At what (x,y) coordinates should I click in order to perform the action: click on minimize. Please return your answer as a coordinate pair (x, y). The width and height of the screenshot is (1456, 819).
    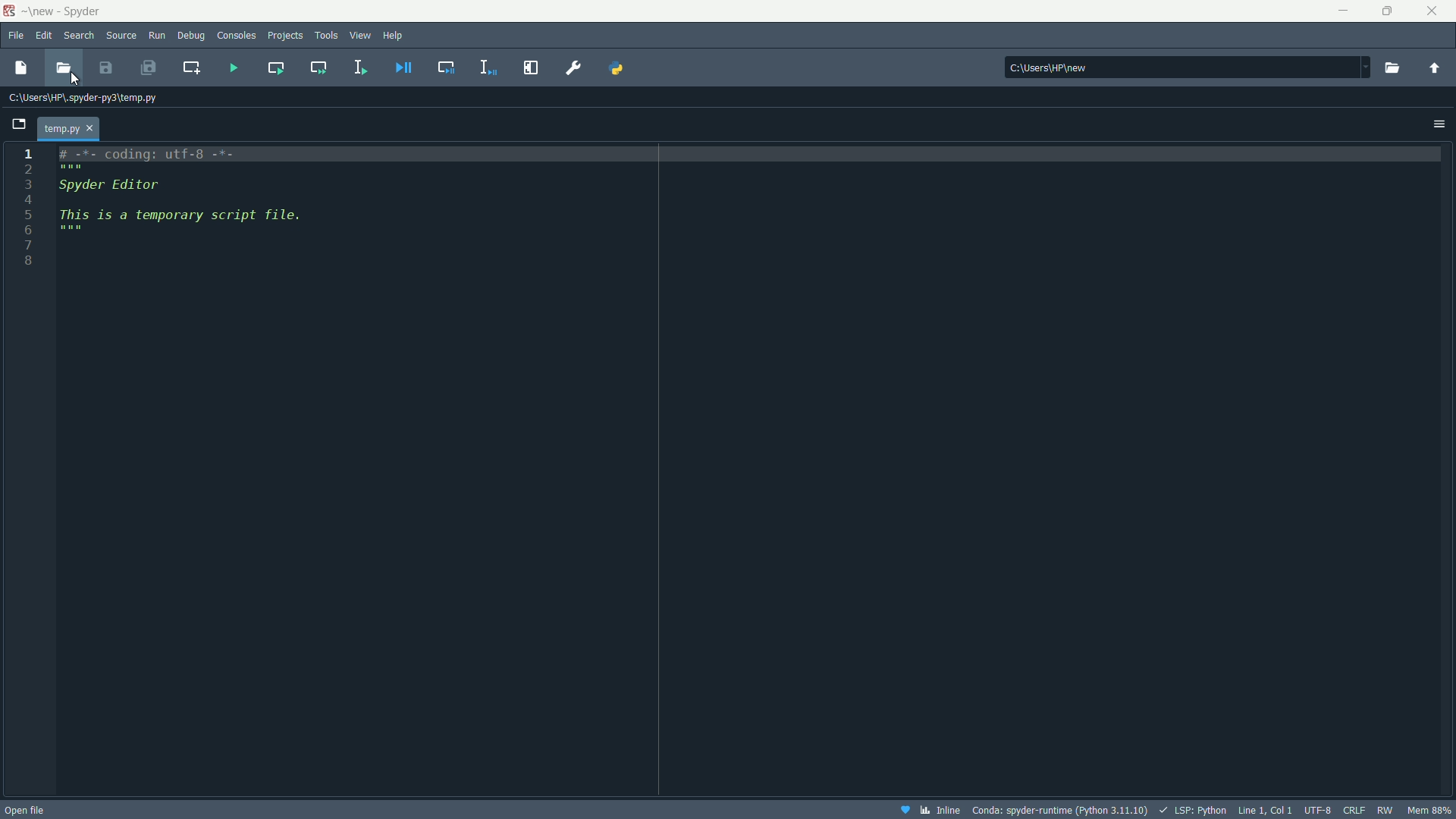
    Looking at the image, I should click on (1341, 11).